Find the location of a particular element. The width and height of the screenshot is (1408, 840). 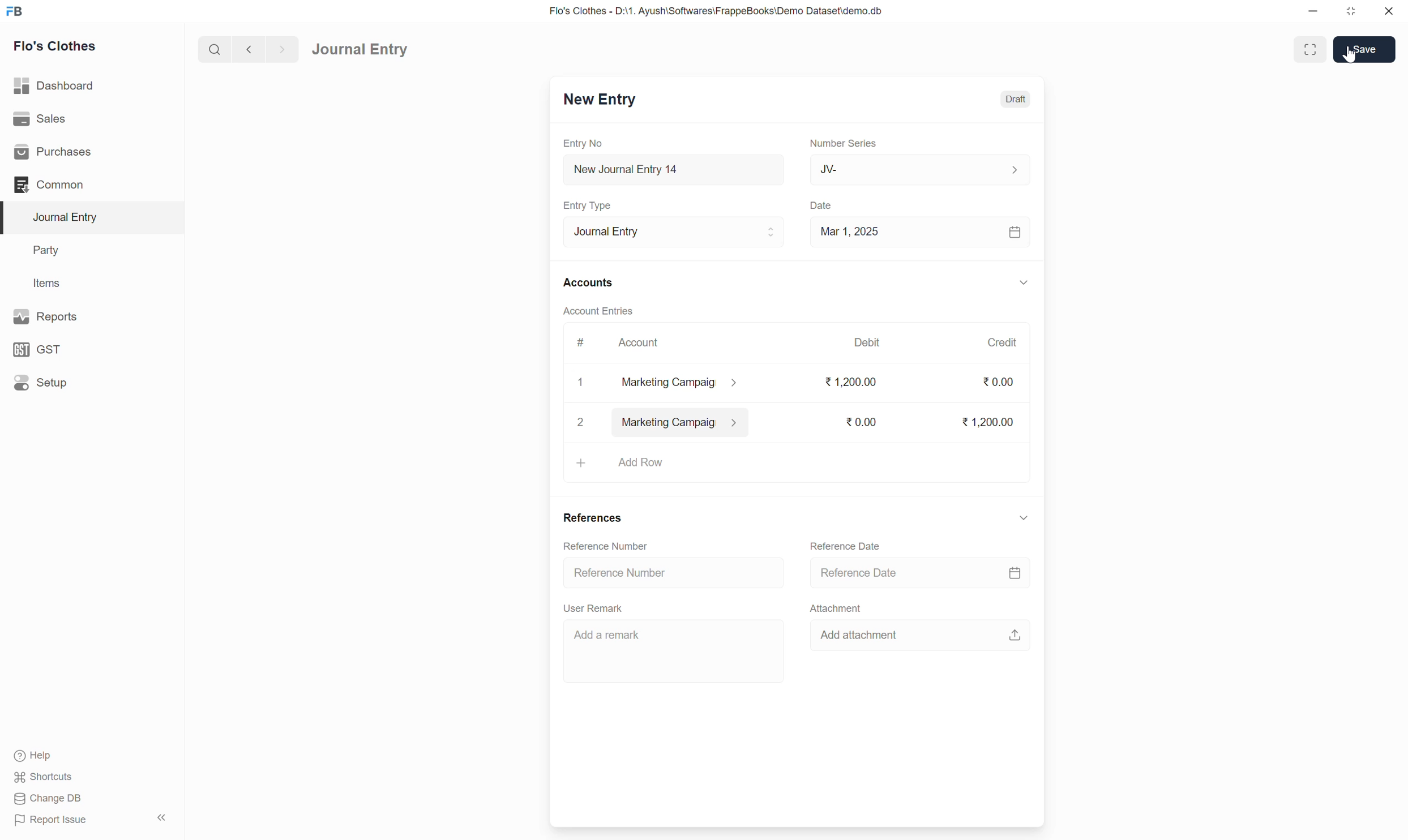

JV- is located at coordinates (921, 169).